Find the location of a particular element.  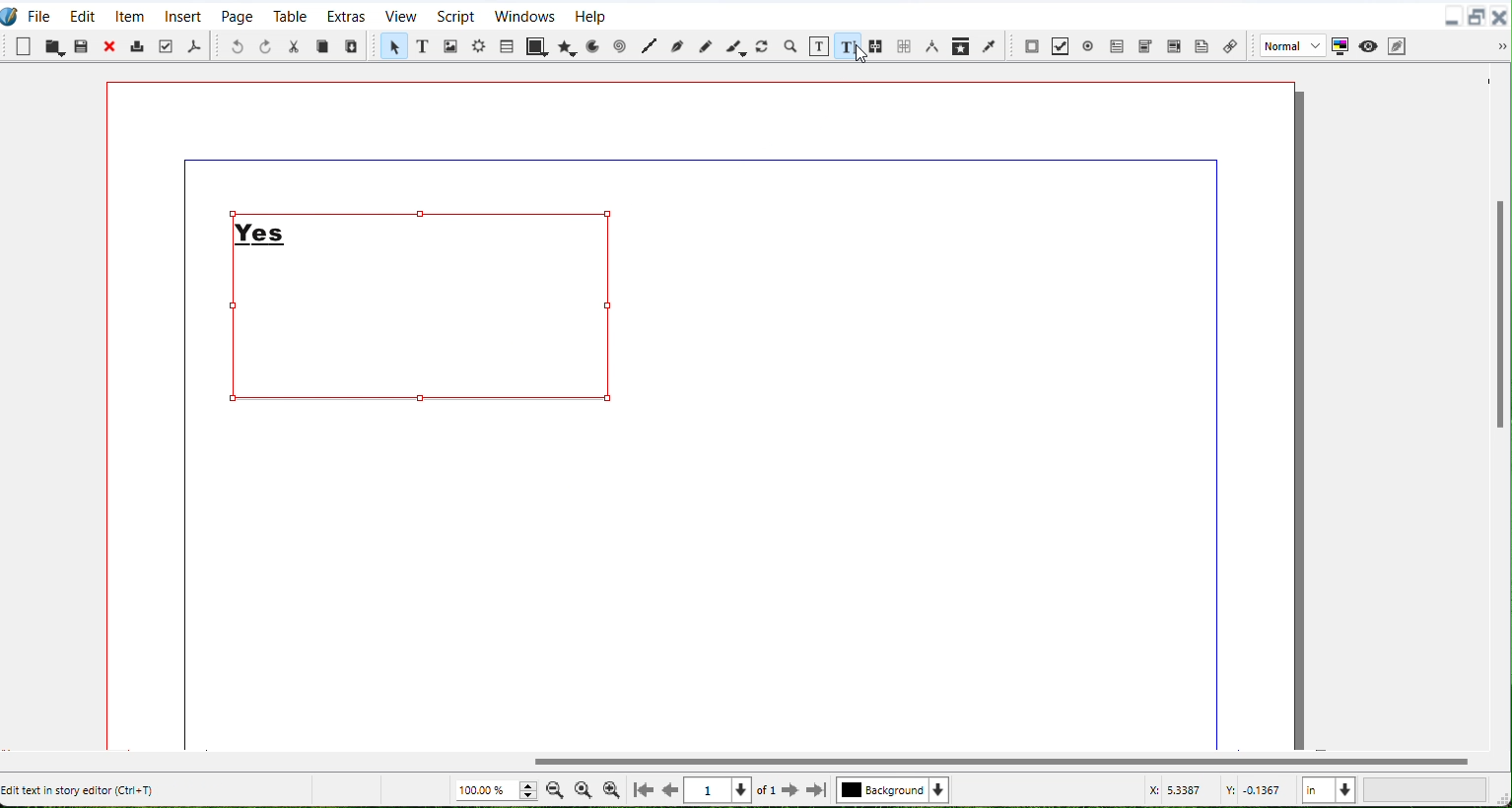

Edit is located at coordinates (82, 14).